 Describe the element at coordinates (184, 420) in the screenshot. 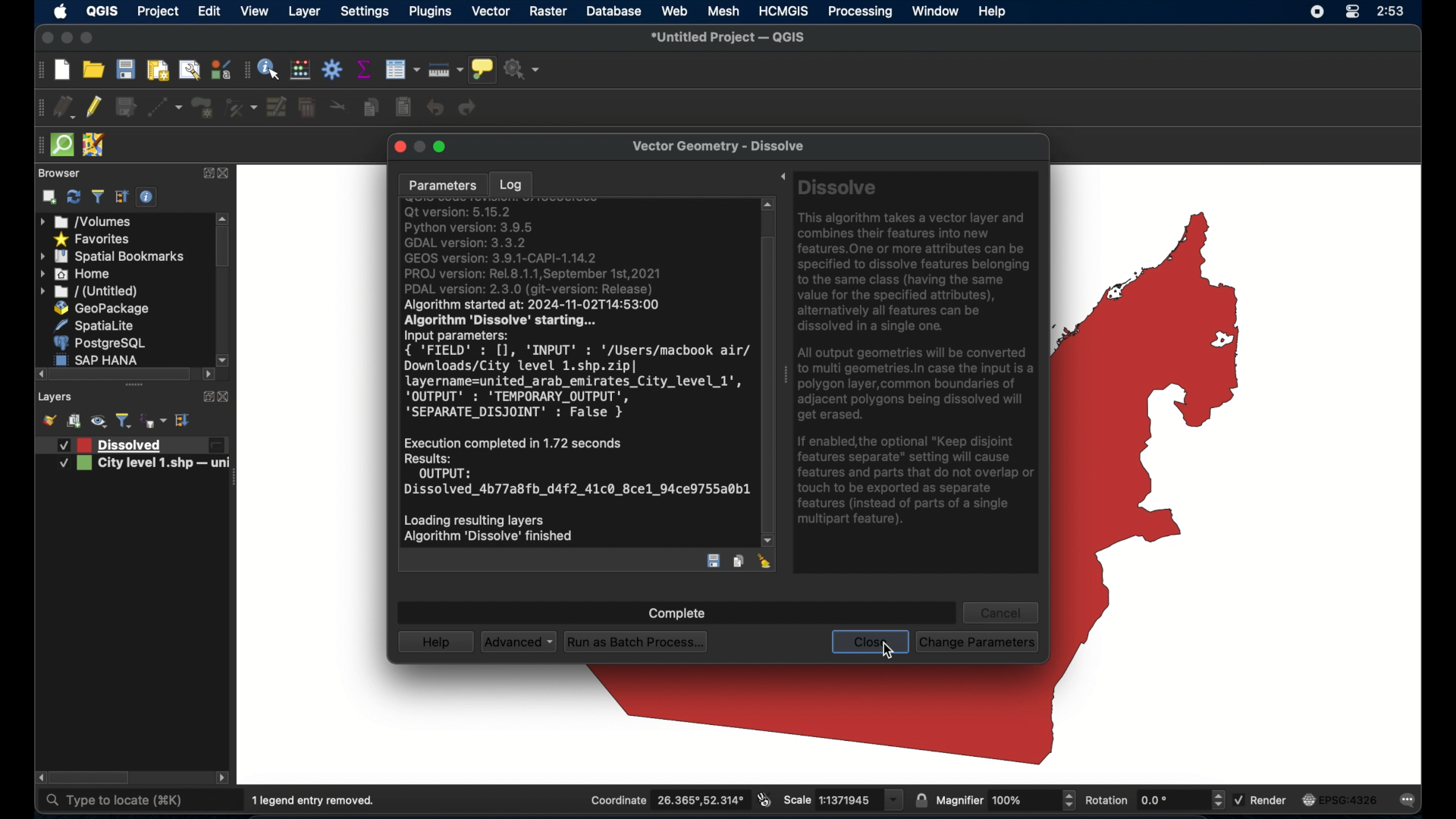

I see `expand all` at that location.